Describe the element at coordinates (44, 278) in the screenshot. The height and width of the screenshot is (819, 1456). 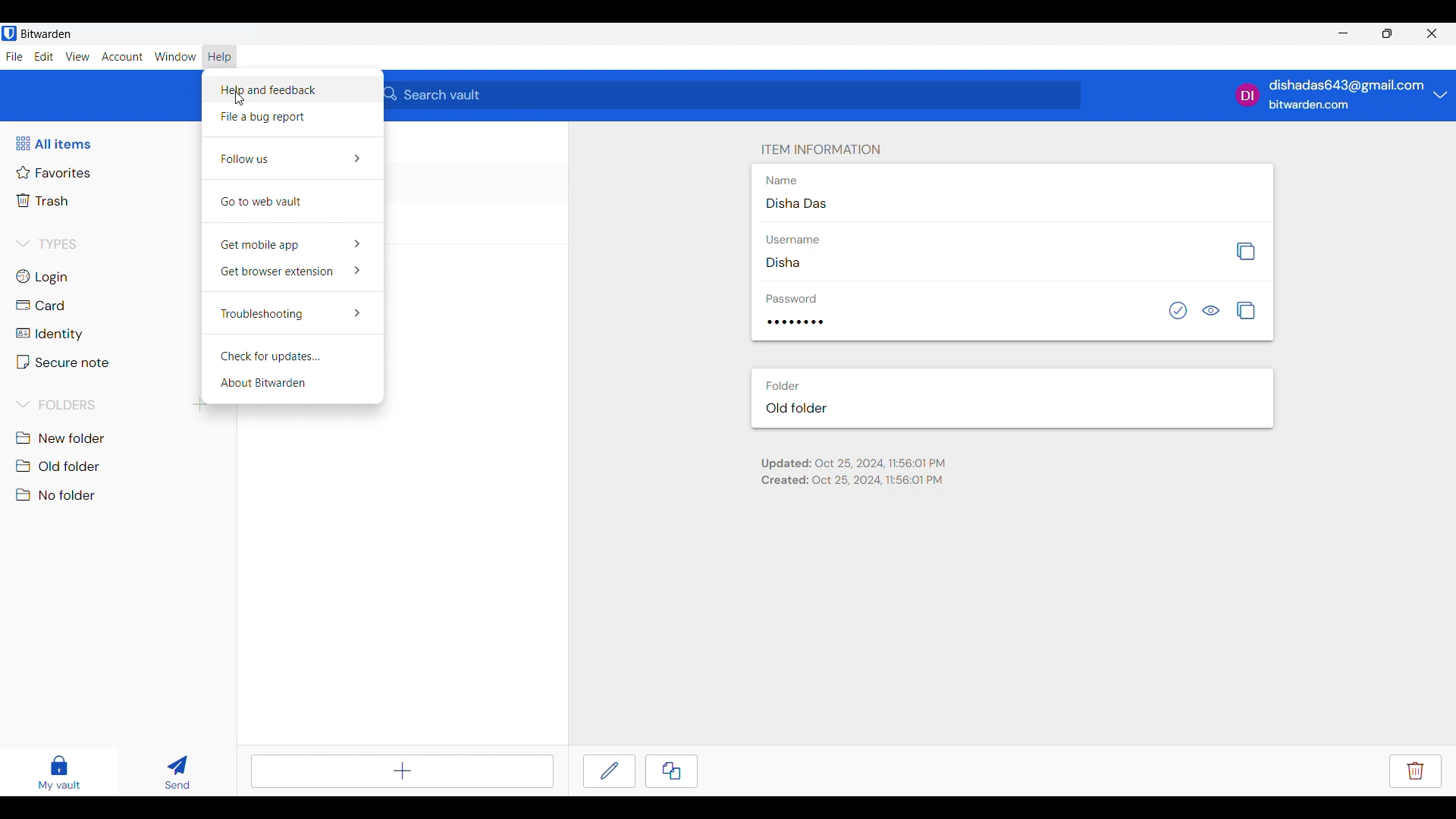
I see `Login` at that location.